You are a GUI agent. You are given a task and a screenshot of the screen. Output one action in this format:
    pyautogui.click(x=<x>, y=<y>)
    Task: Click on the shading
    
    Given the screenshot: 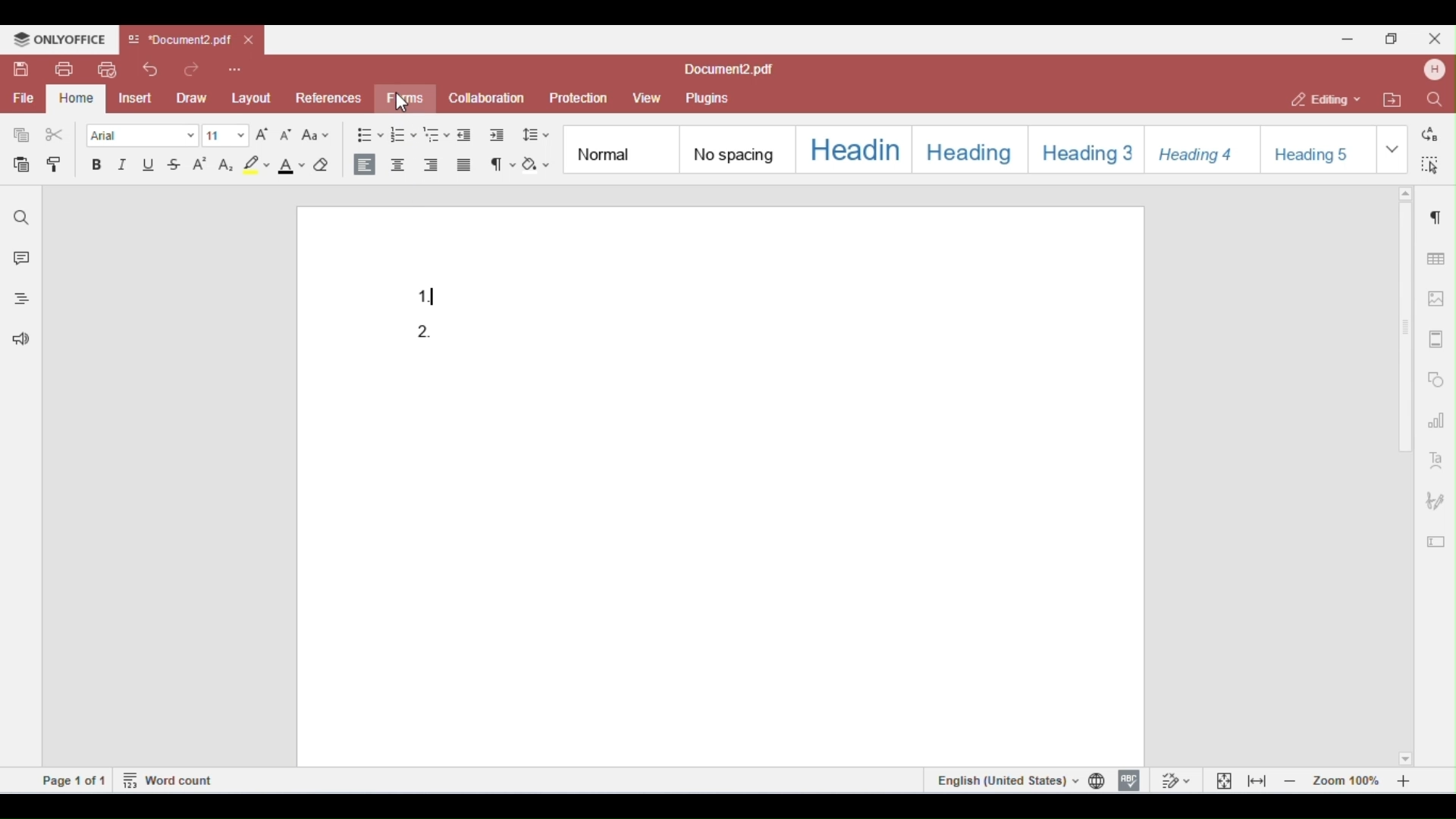 What is the action you would take?
    pyautogui.click(x=535, y=165)
    